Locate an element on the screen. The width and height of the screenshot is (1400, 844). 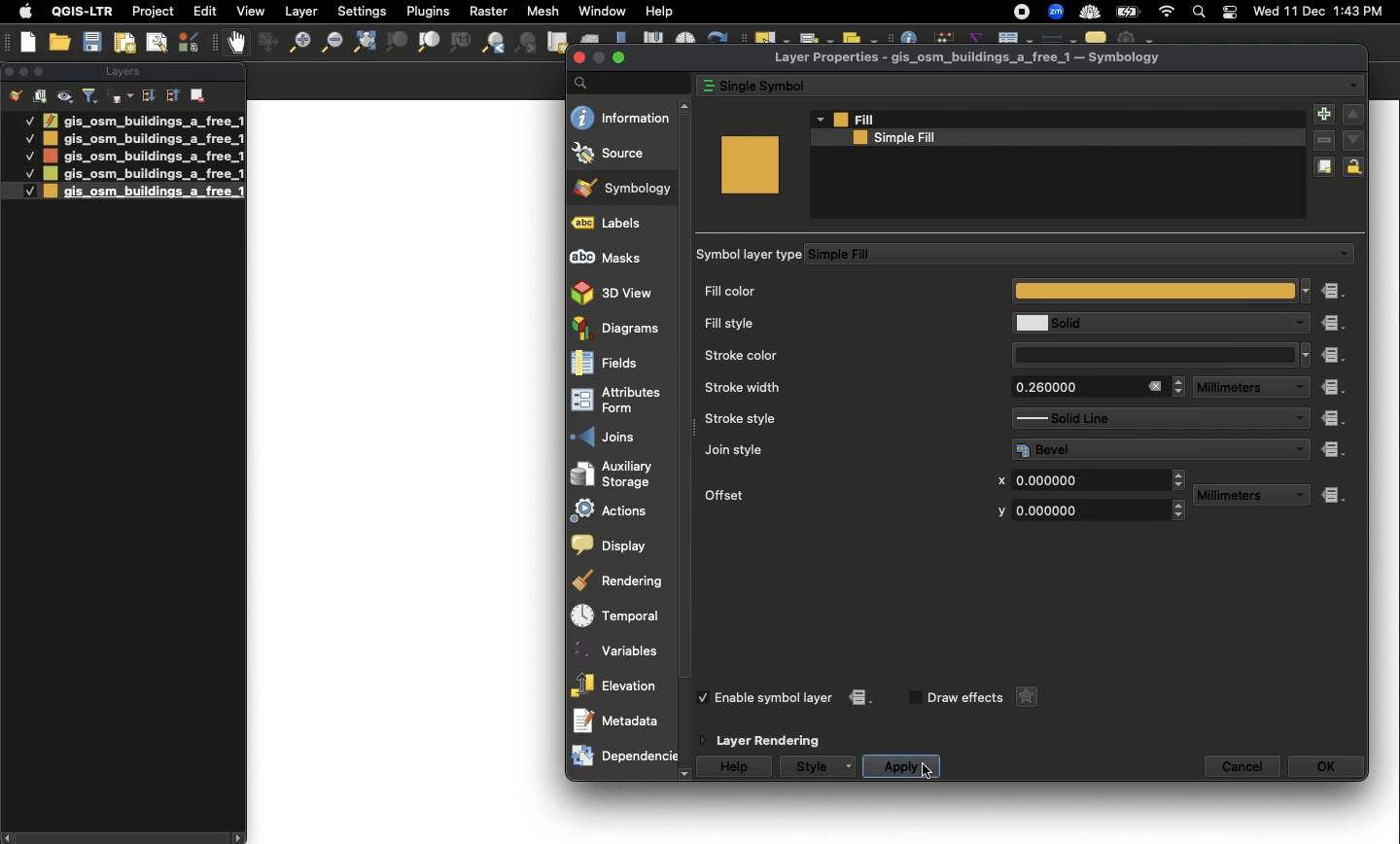
Layer panel is located at coordinates (121, 73).